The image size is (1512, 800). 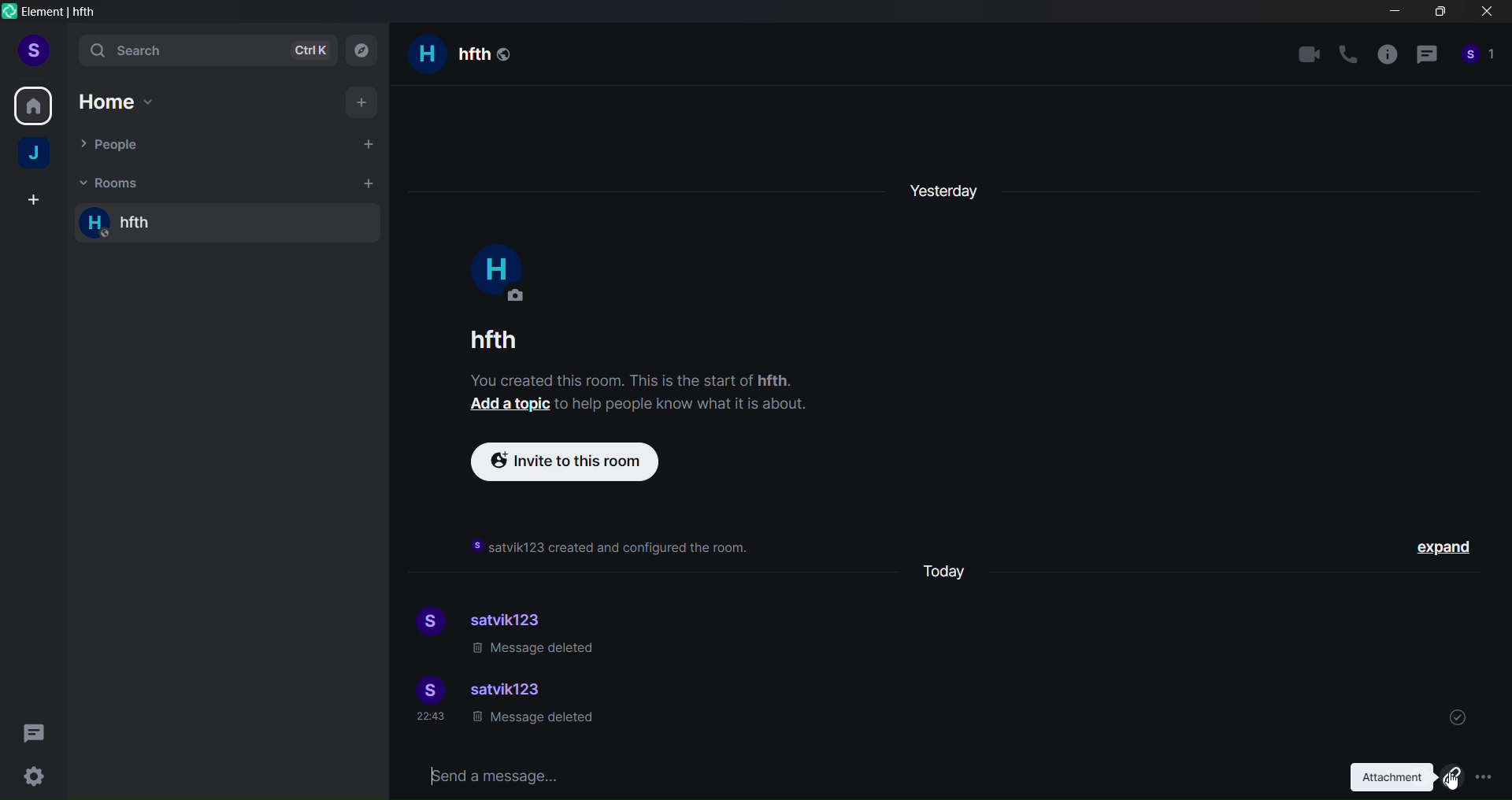 What do you see at coordinates (117, 146) in the screenshot?
I see `people` at bounding box center [117, 146].